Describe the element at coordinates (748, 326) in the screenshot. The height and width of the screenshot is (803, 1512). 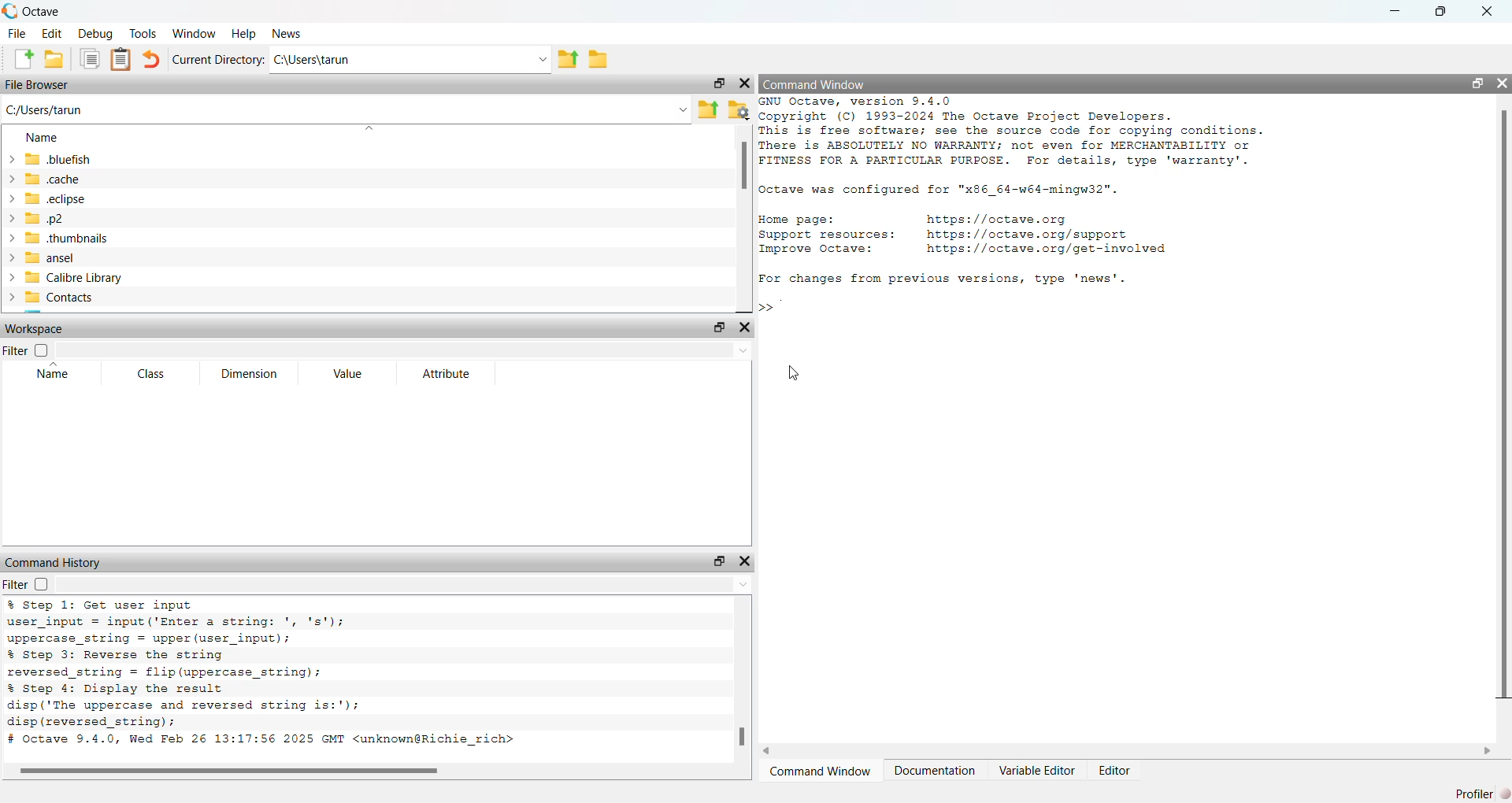
I see `hide widget` at that location.